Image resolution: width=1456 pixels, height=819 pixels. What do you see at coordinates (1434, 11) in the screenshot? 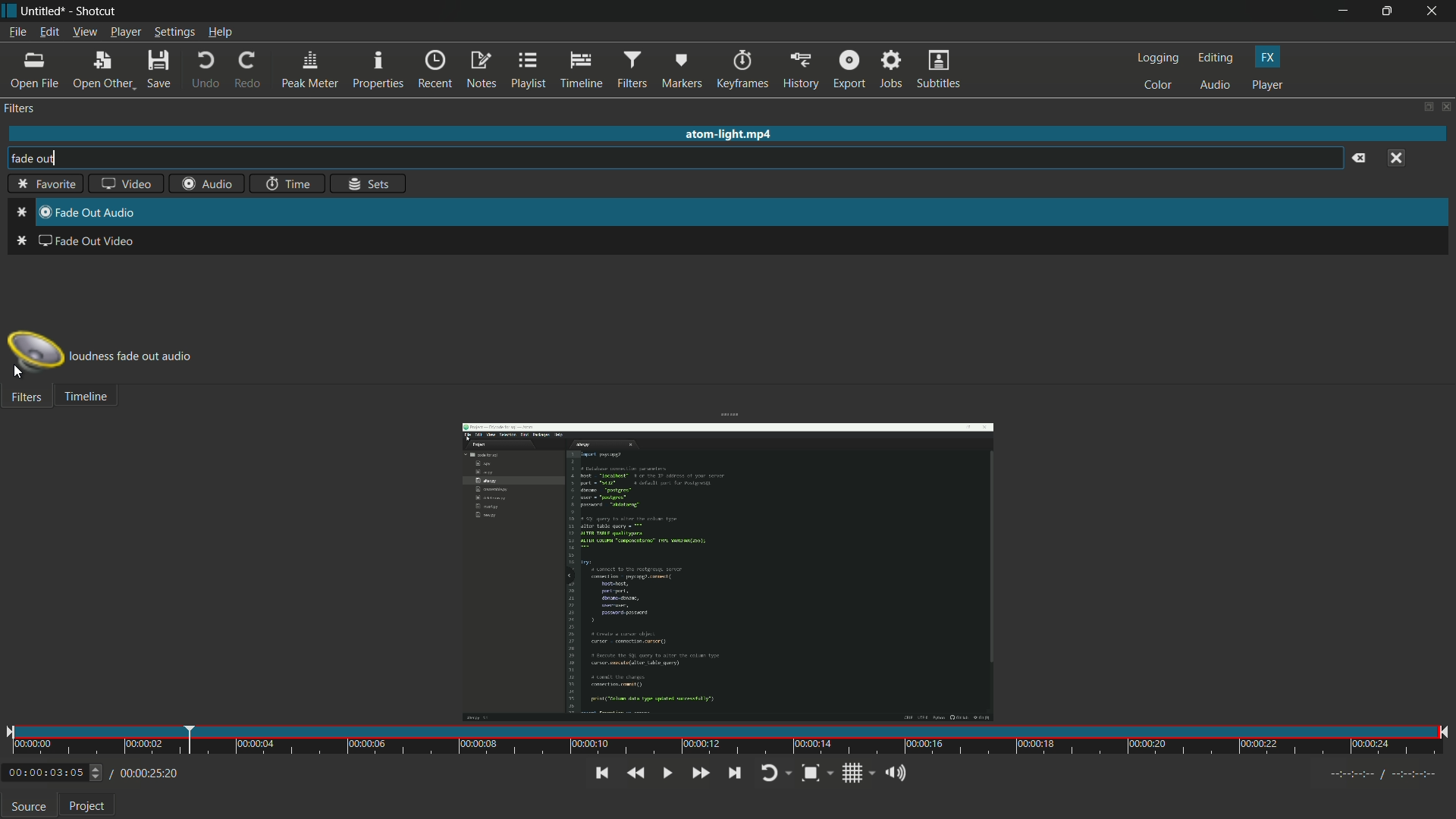
I see `close app` at bounding box center [1434, 11].